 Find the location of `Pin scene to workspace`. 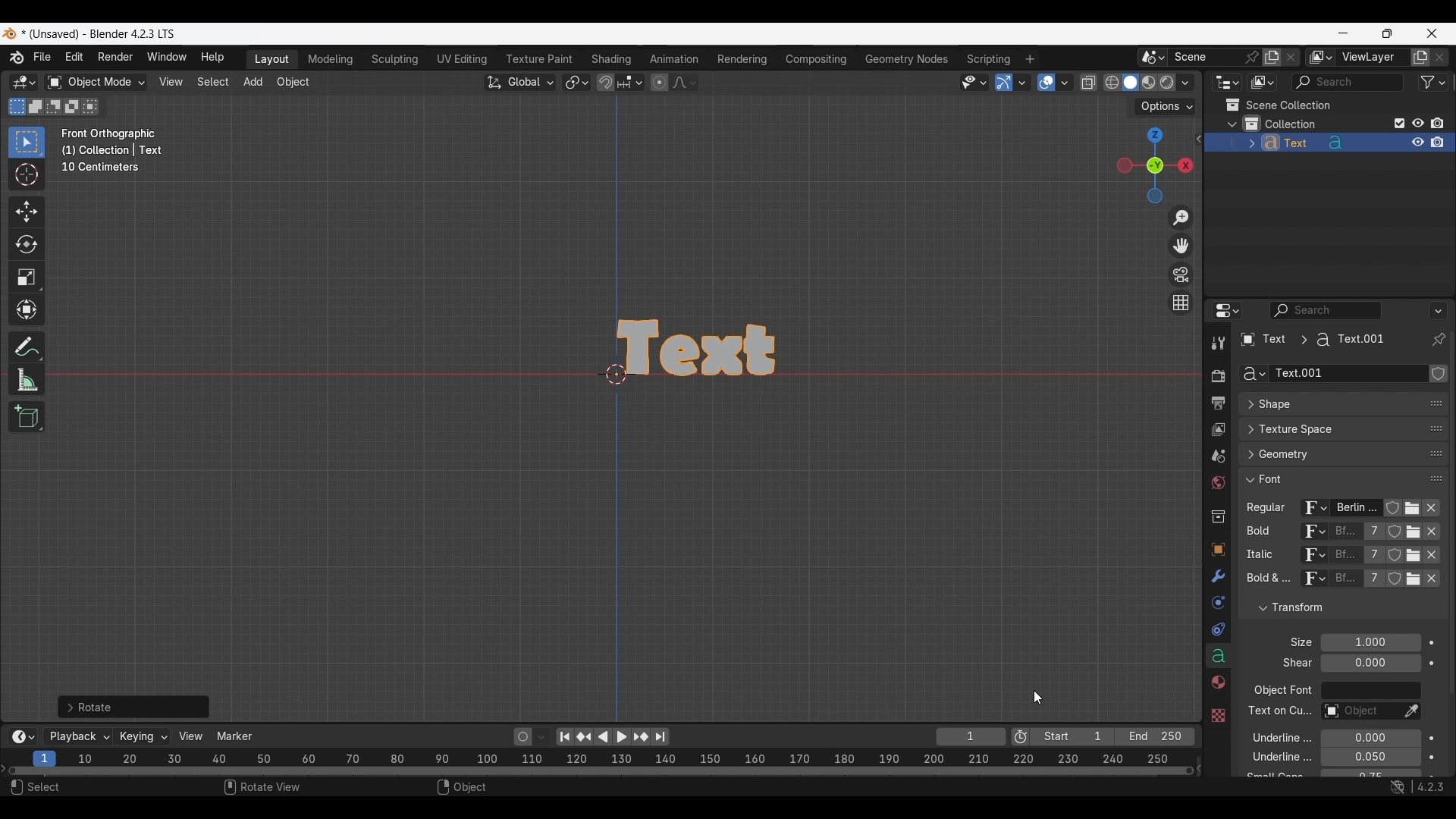

Pin scene to workspace is located at coordinates (1216, 57).